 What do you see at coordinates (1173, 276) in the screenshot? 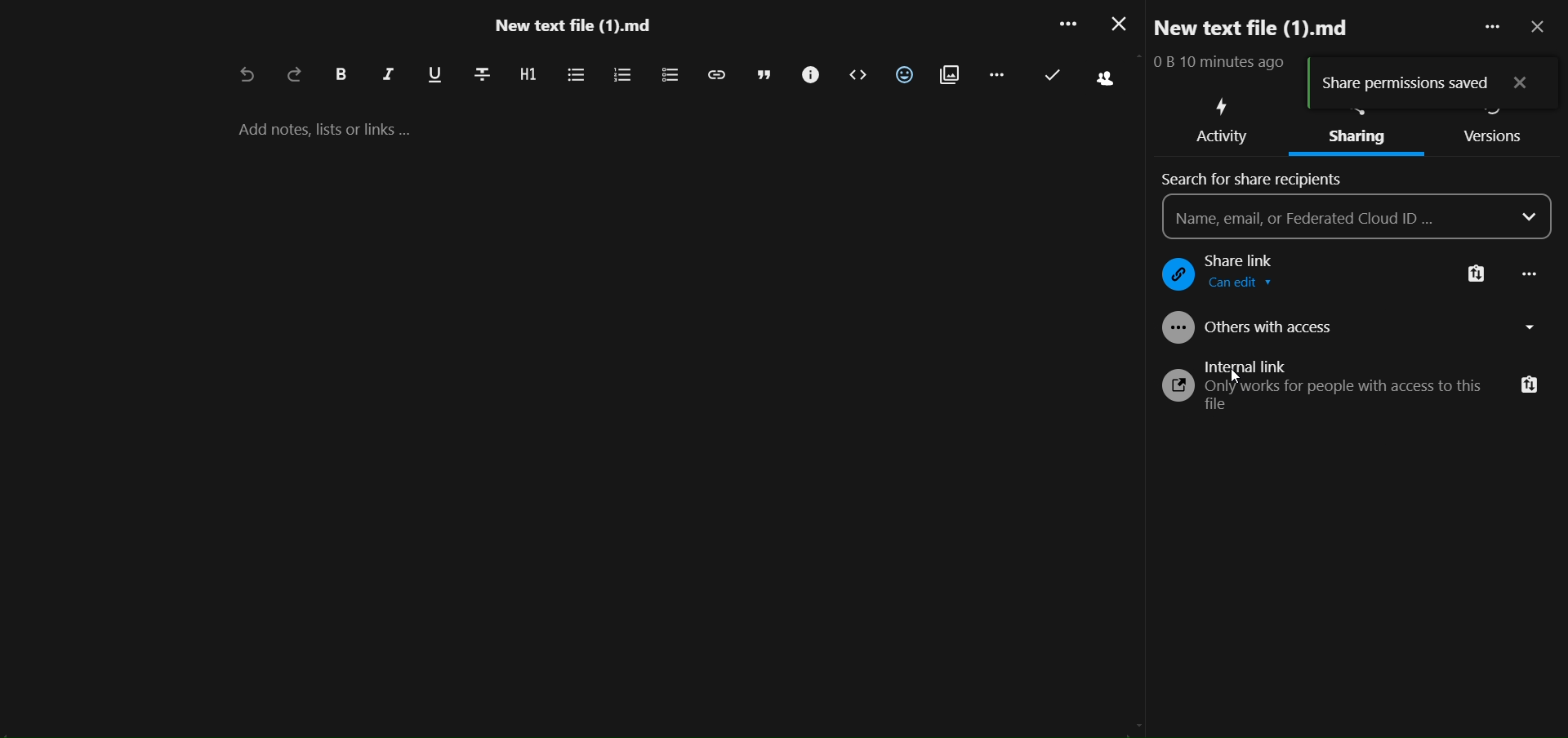
I see `logo` at bounding box center [1173, 276].